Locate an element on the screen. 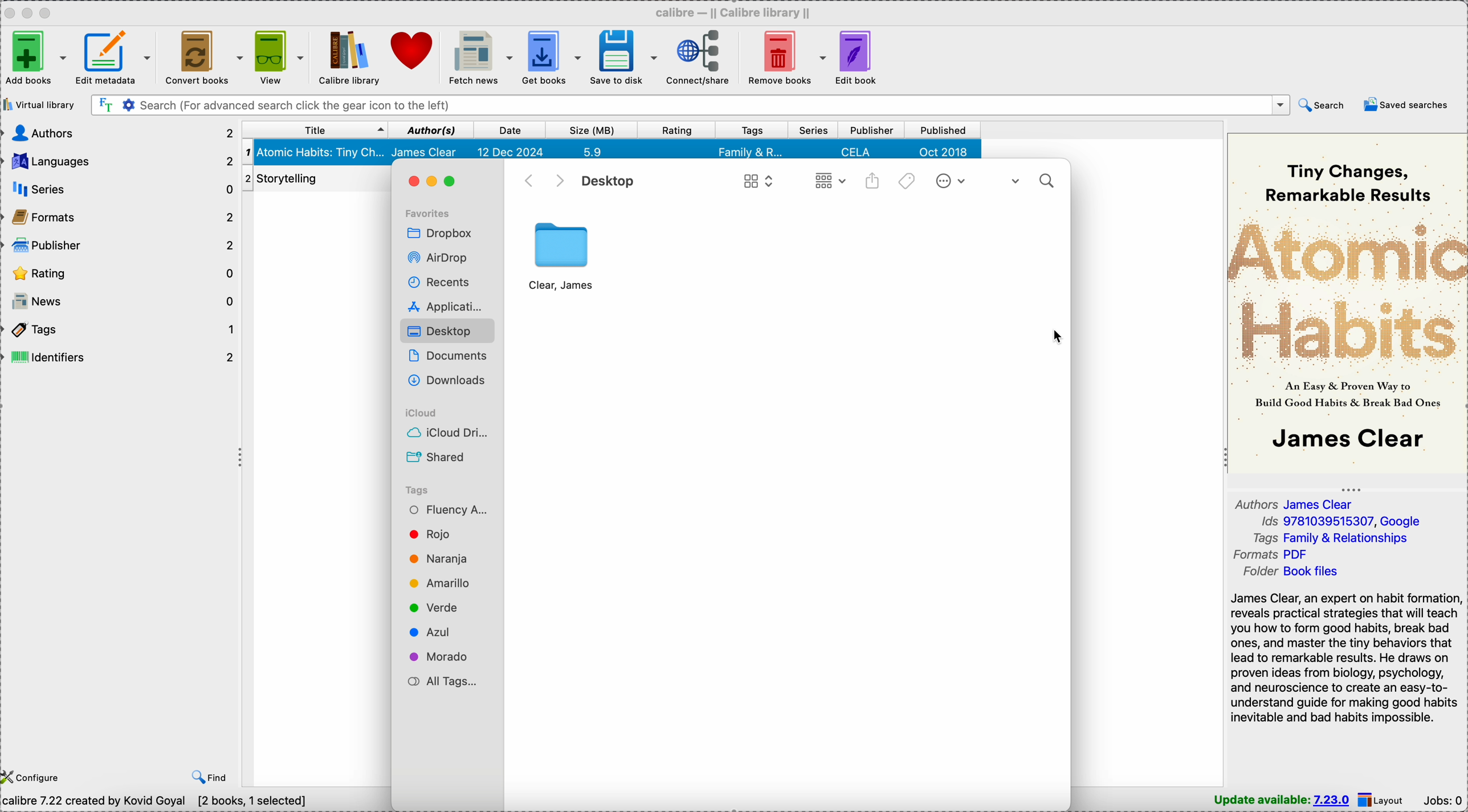 This screenshot has width=1468, height=812. rating is located at coordinates (121, 274).